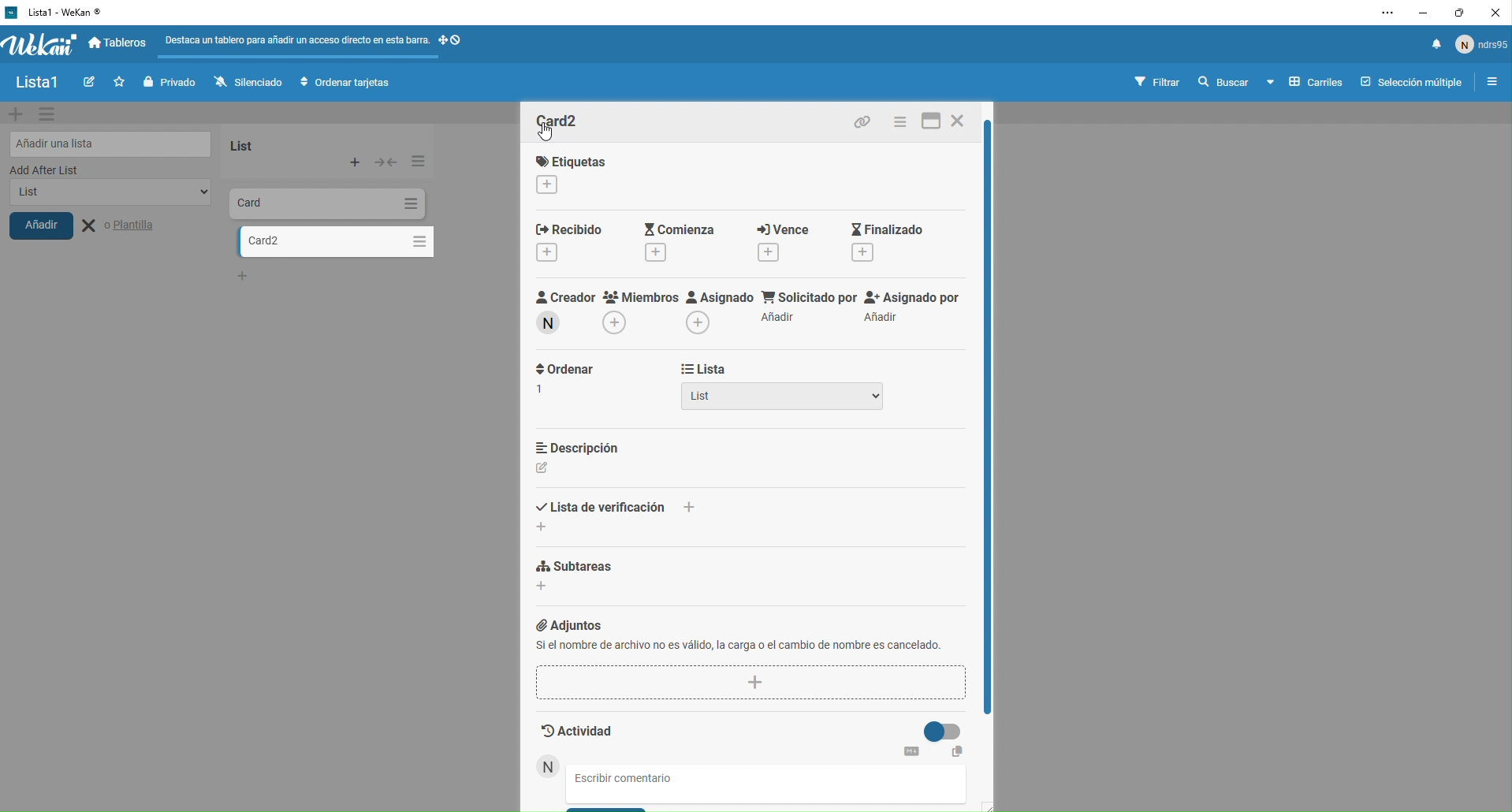 The height and width of the screenshot is (812, 1512). What do you see at coordinates (40, 46) in the screenshot?
I see `wekan` at bounding box center [40, 46].